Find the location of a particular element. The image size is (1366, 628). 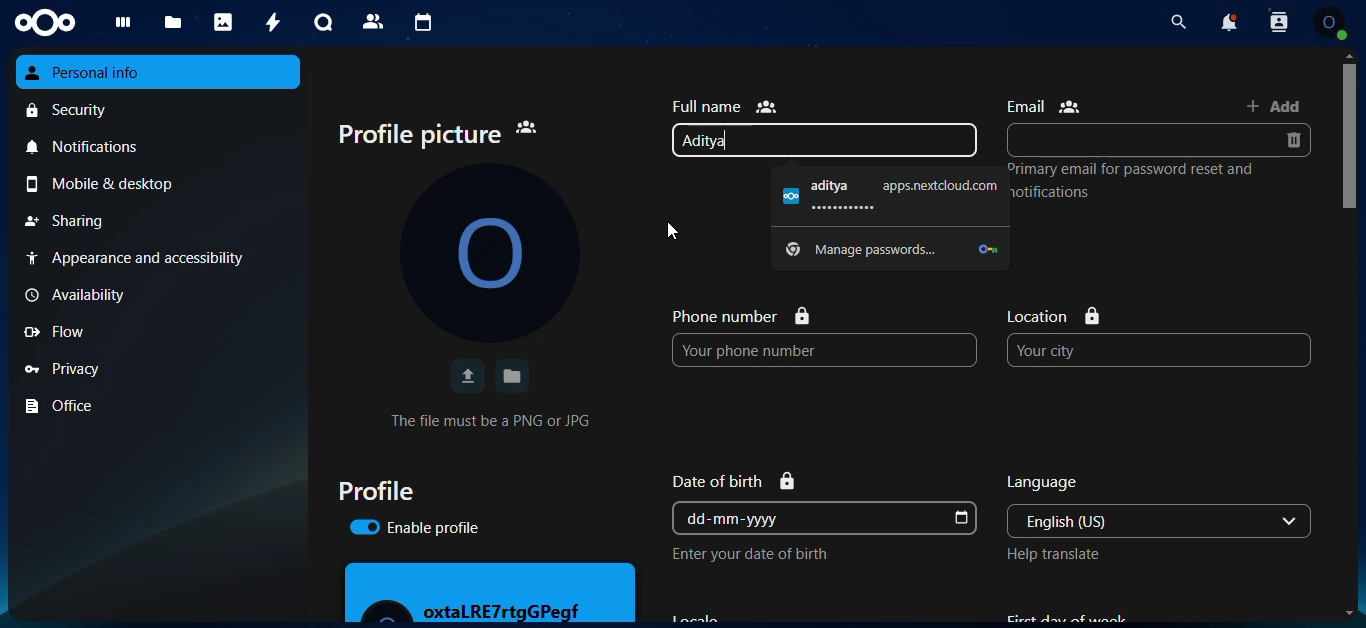

cursor is located at coordinates (672, 231).